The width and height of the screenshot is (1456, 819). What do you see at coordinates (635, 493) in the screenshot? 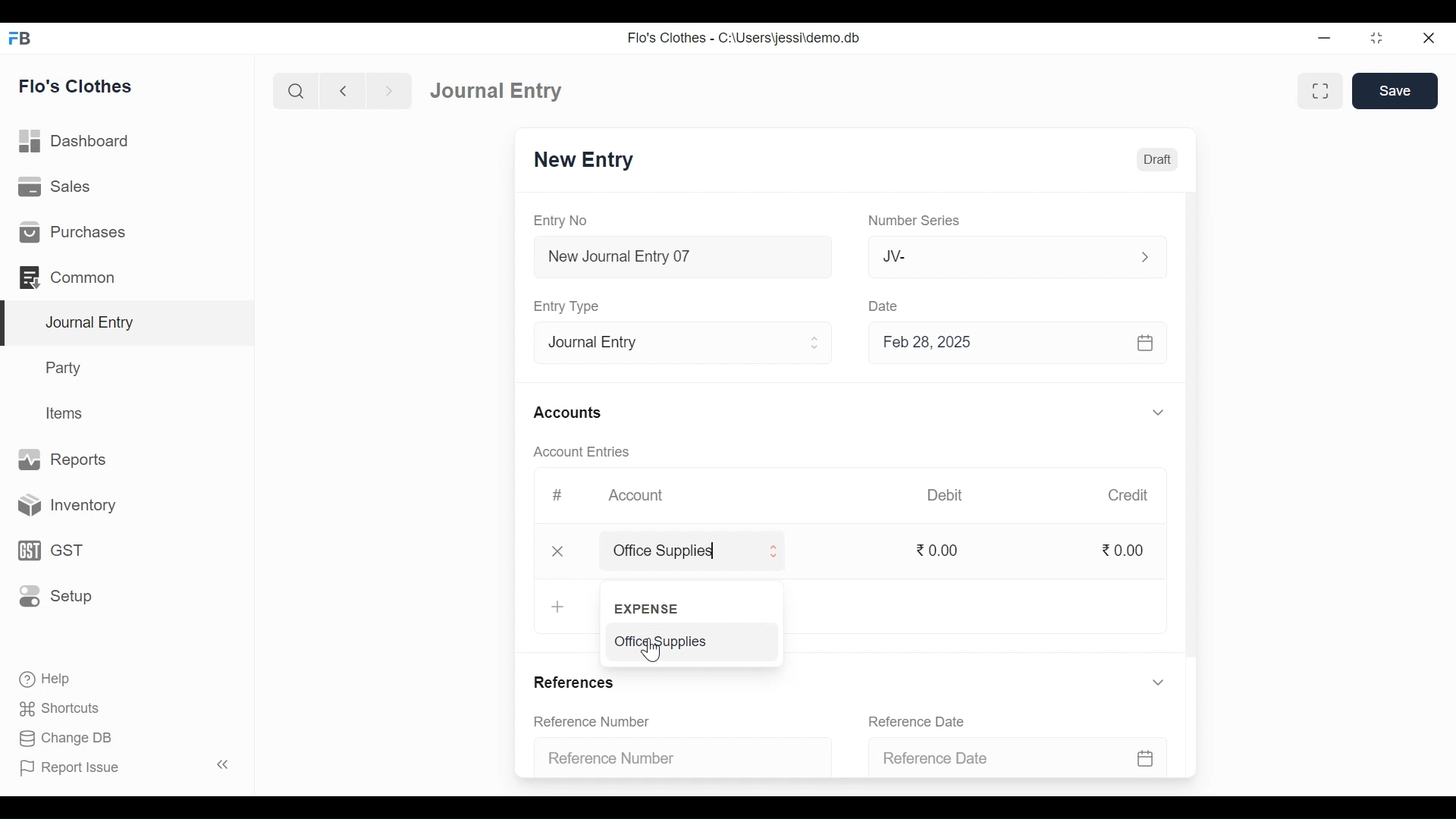
I see `Account` at bounding box center [635, 493].